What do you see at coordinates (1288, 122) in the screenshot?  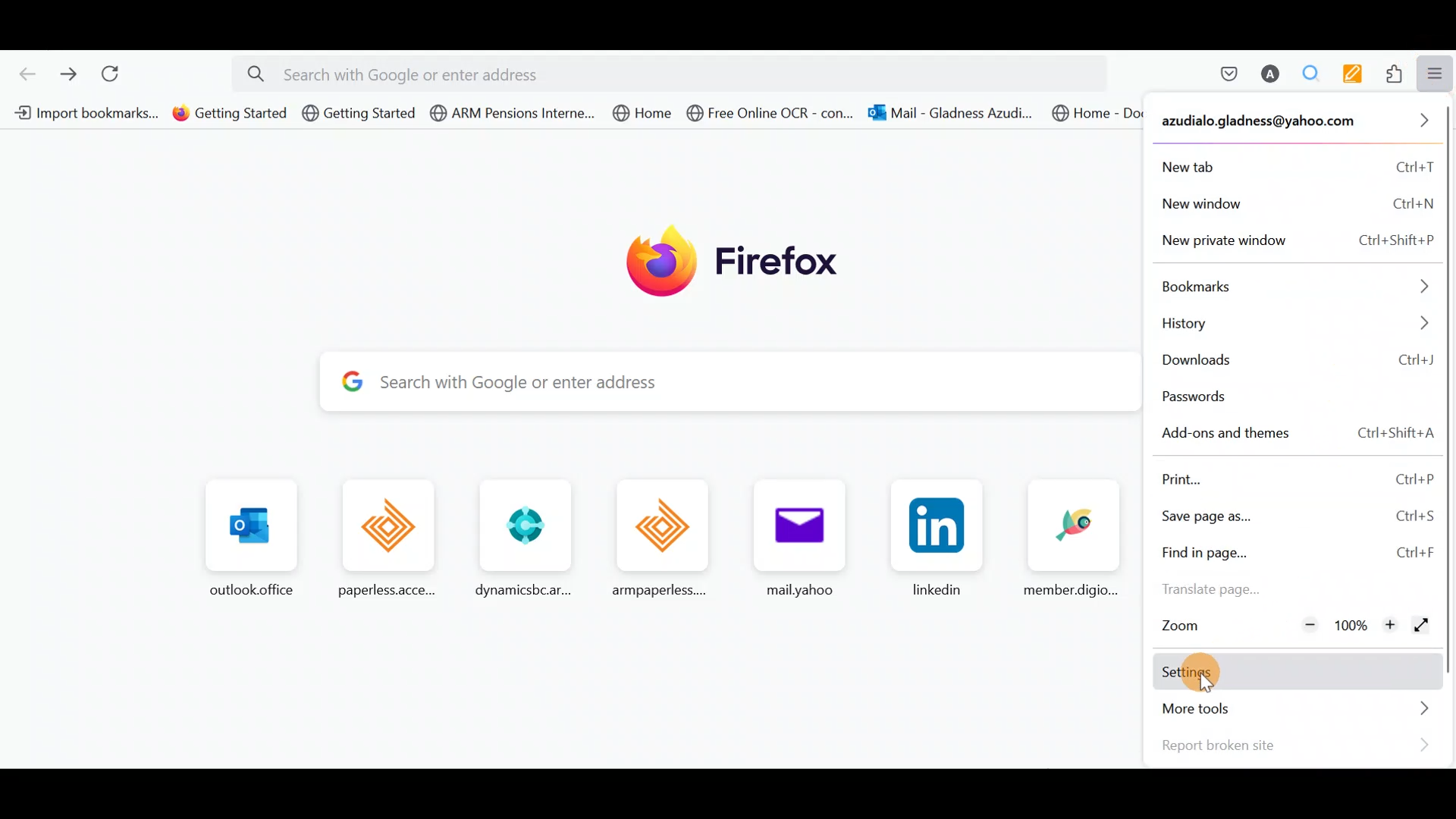 I see `Account` at bounding box center [1288, 122].